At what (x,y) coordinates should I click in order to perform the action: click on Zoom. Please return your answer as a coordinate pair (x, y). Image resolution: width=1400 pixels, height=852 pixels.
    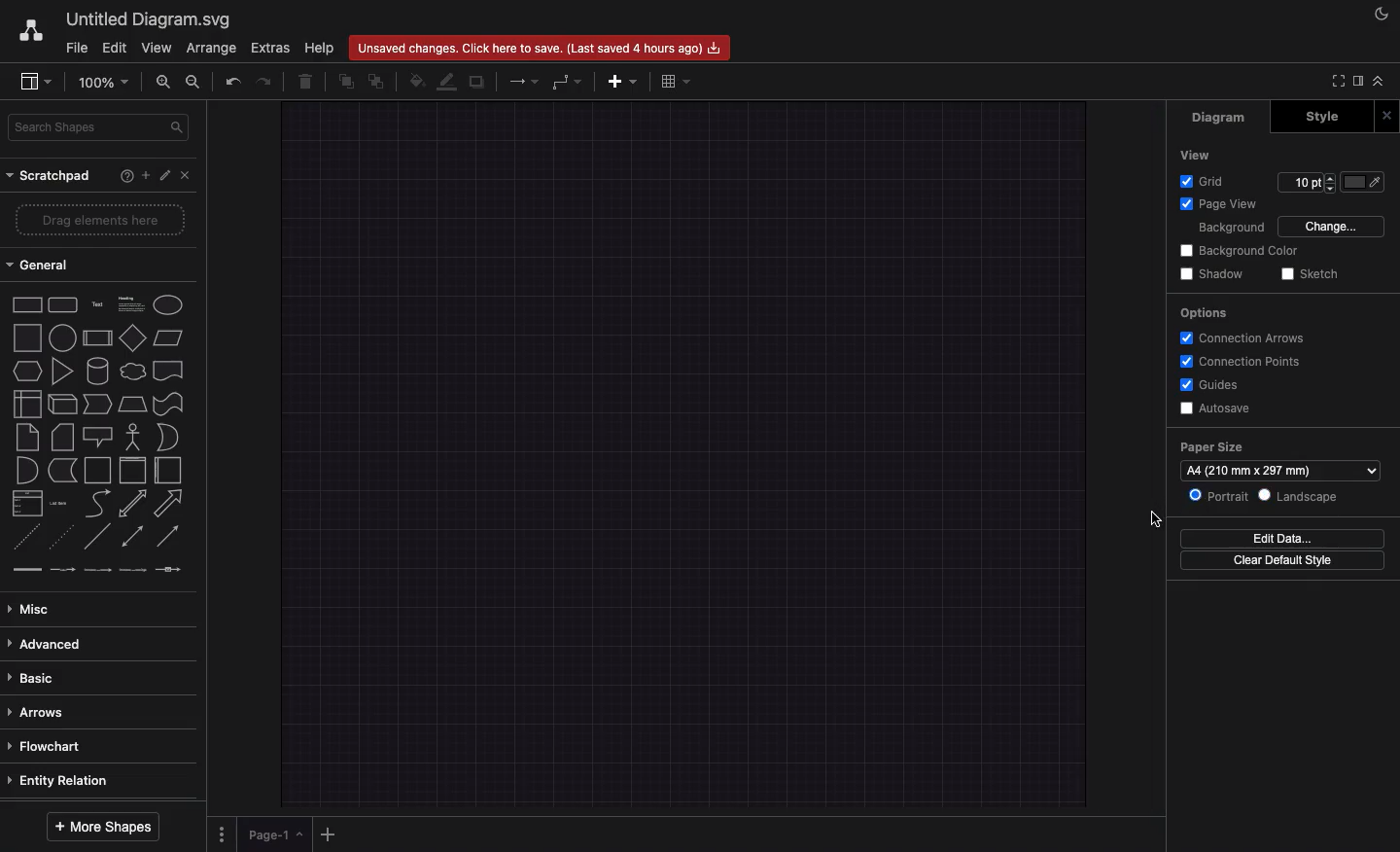
    Looking at the image, I should click on (103, 83).